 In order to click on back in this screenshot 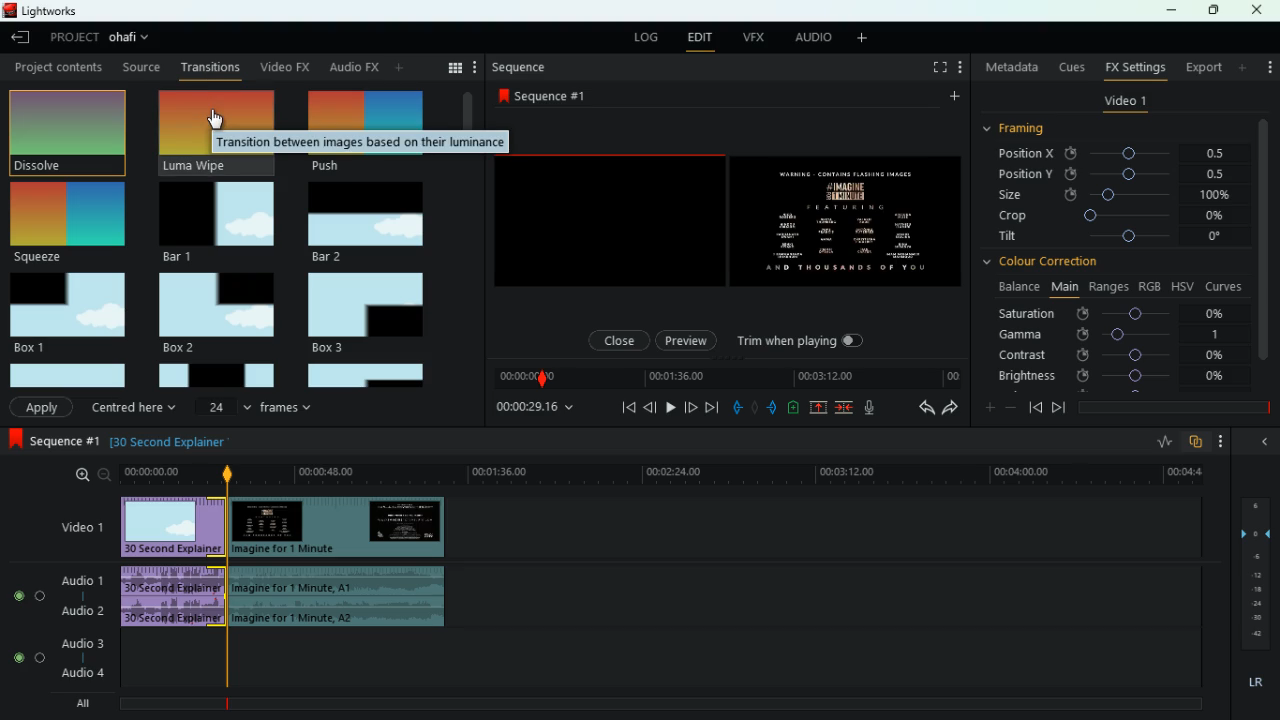, I will do `click(1262, 441)`.